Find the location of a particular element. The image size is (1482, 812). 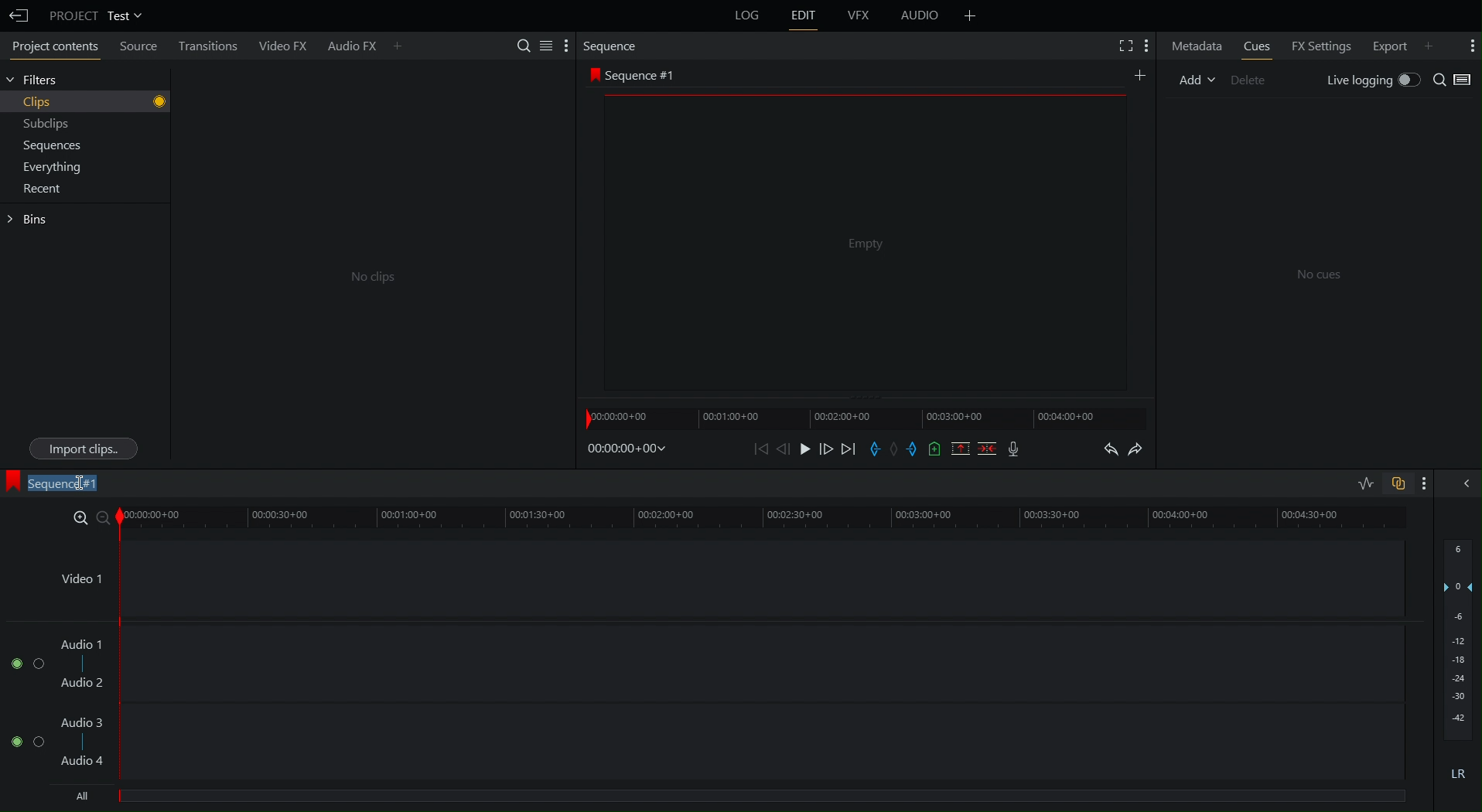

Export is located at coordinates (1401, 43).